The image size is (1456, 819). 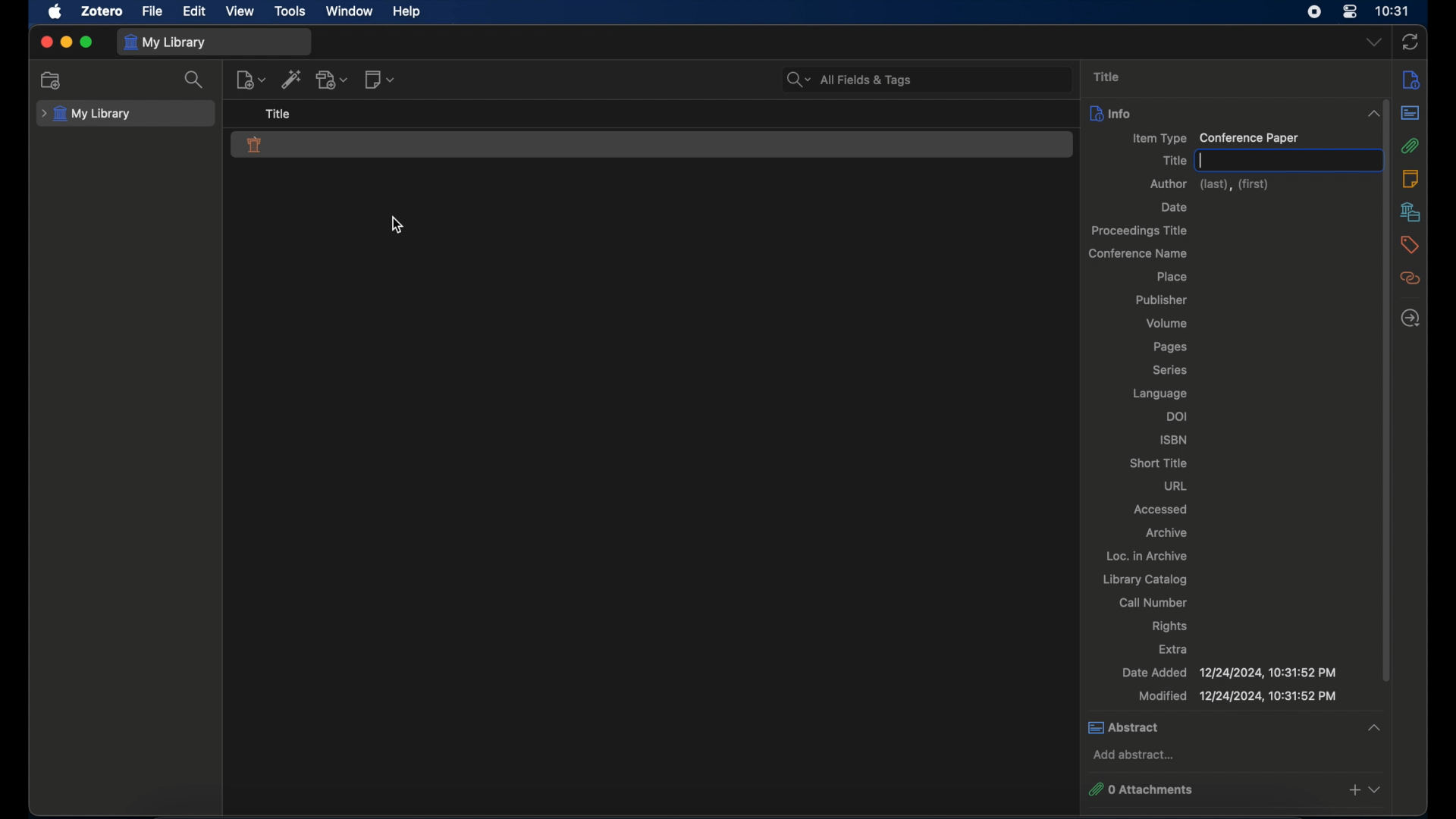 I want to click on libraries, so click(x=1411, y=212).